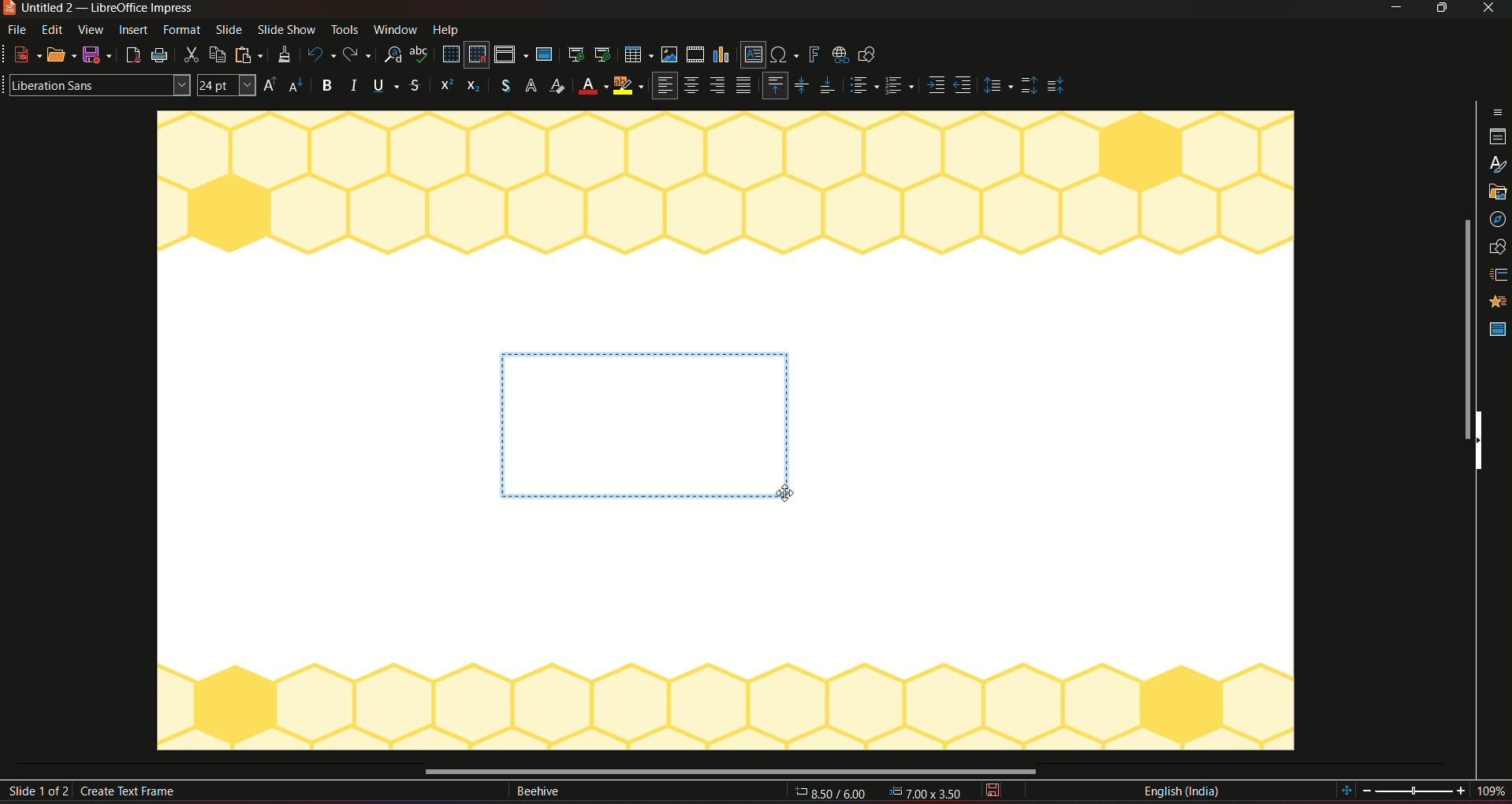  I want to click on insert audio/video, so click(695, 55).